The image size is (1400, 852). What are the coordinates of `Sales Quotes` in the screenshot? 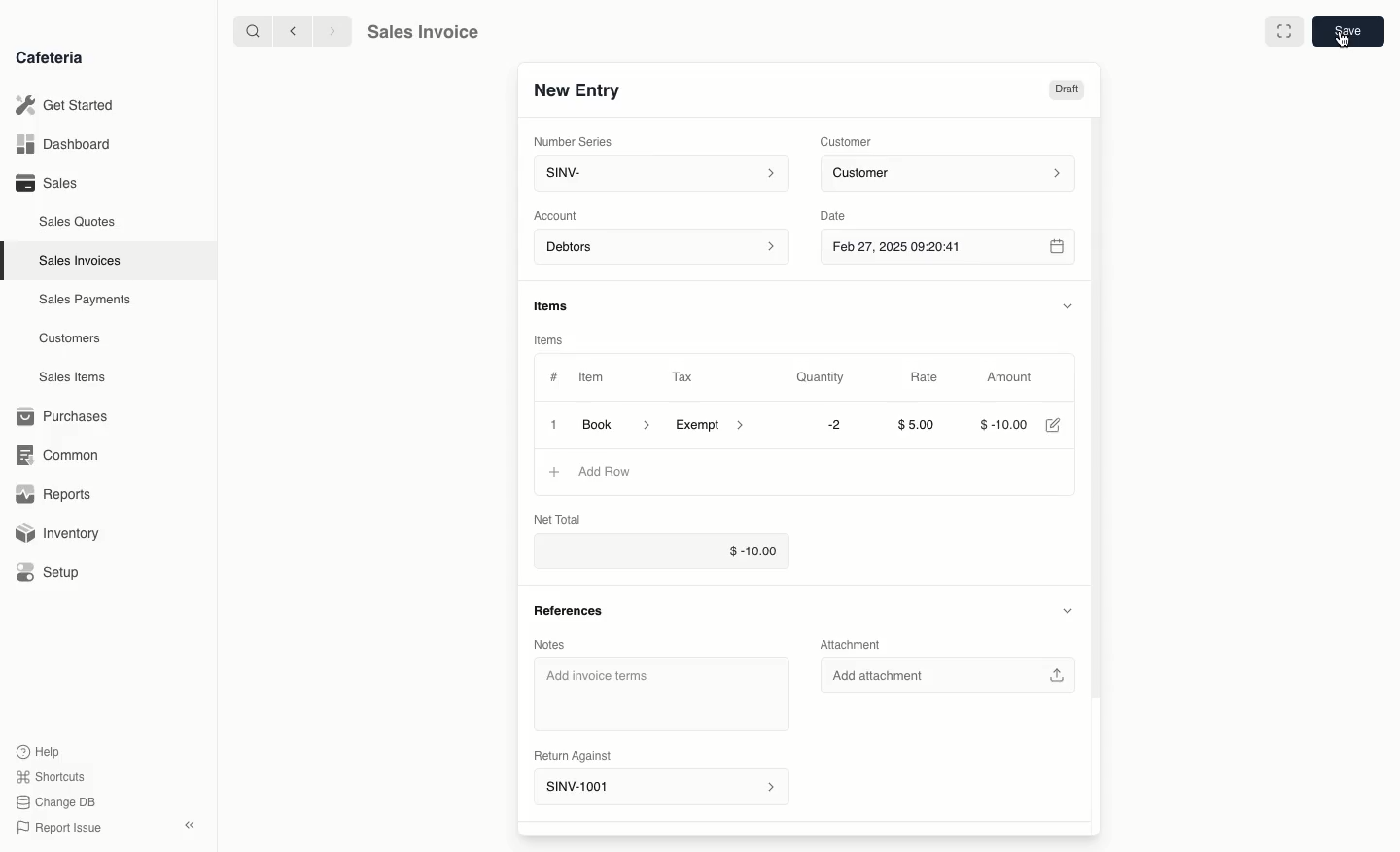 It's located at (78, 224).